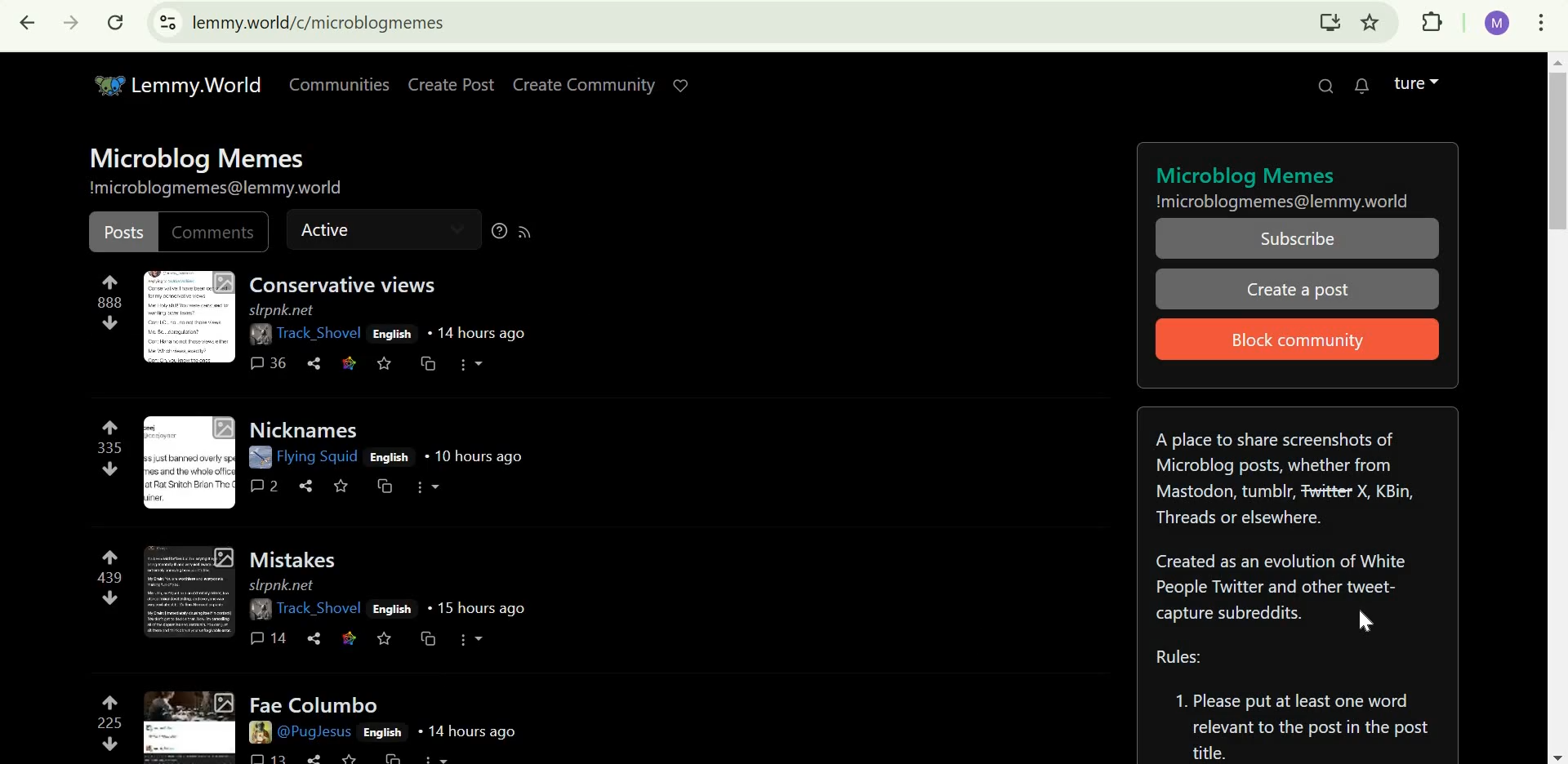 The height and width of the screenshot is (764, 1568). Describe the element at coordinates (111, 322) in the screenshot. I see `downvote` at that location.